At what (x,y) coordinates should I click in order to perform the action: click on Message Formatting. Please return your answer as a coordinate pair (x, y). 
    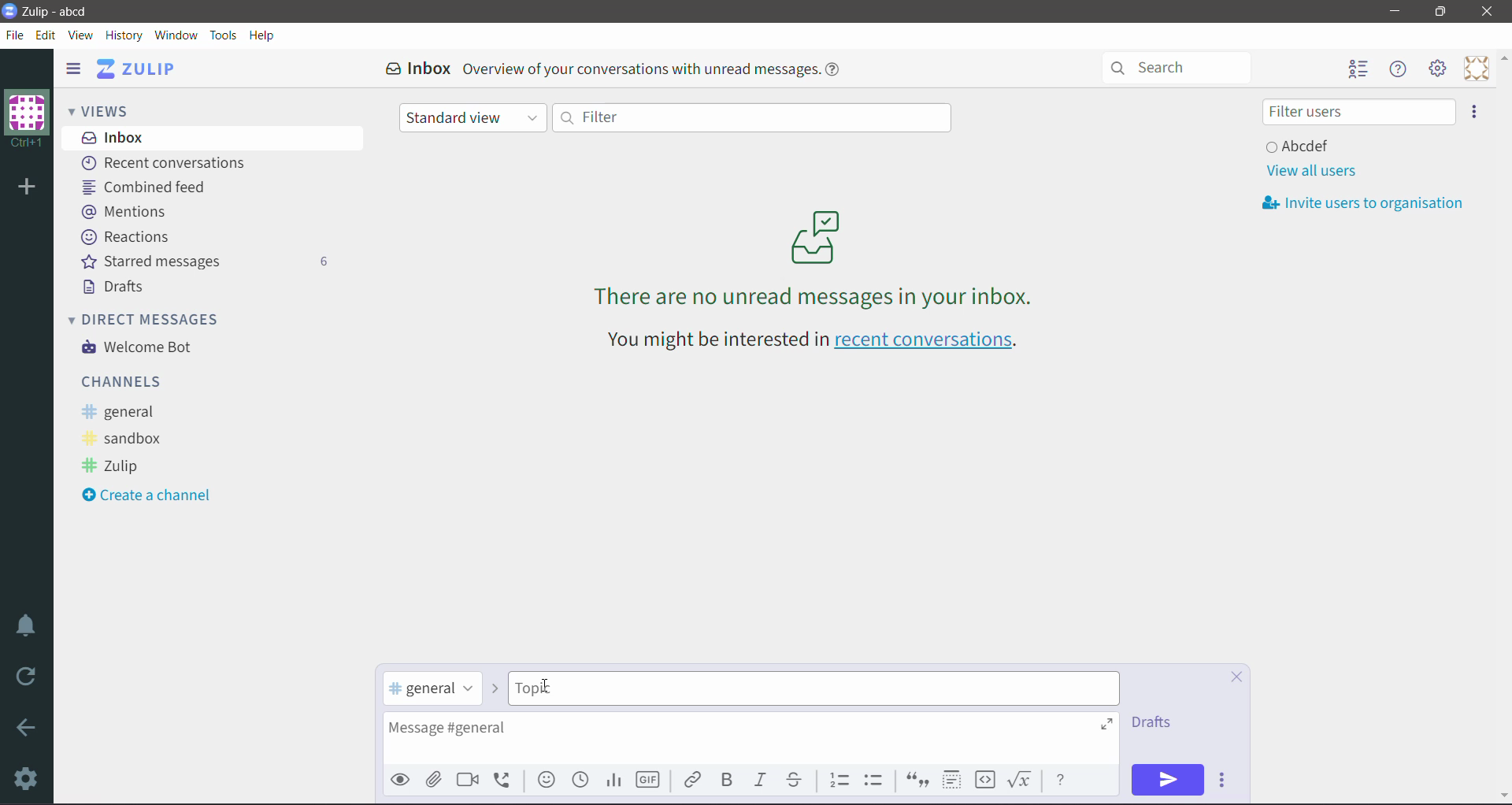
    Looking at the image, I should click on (1061, 778).